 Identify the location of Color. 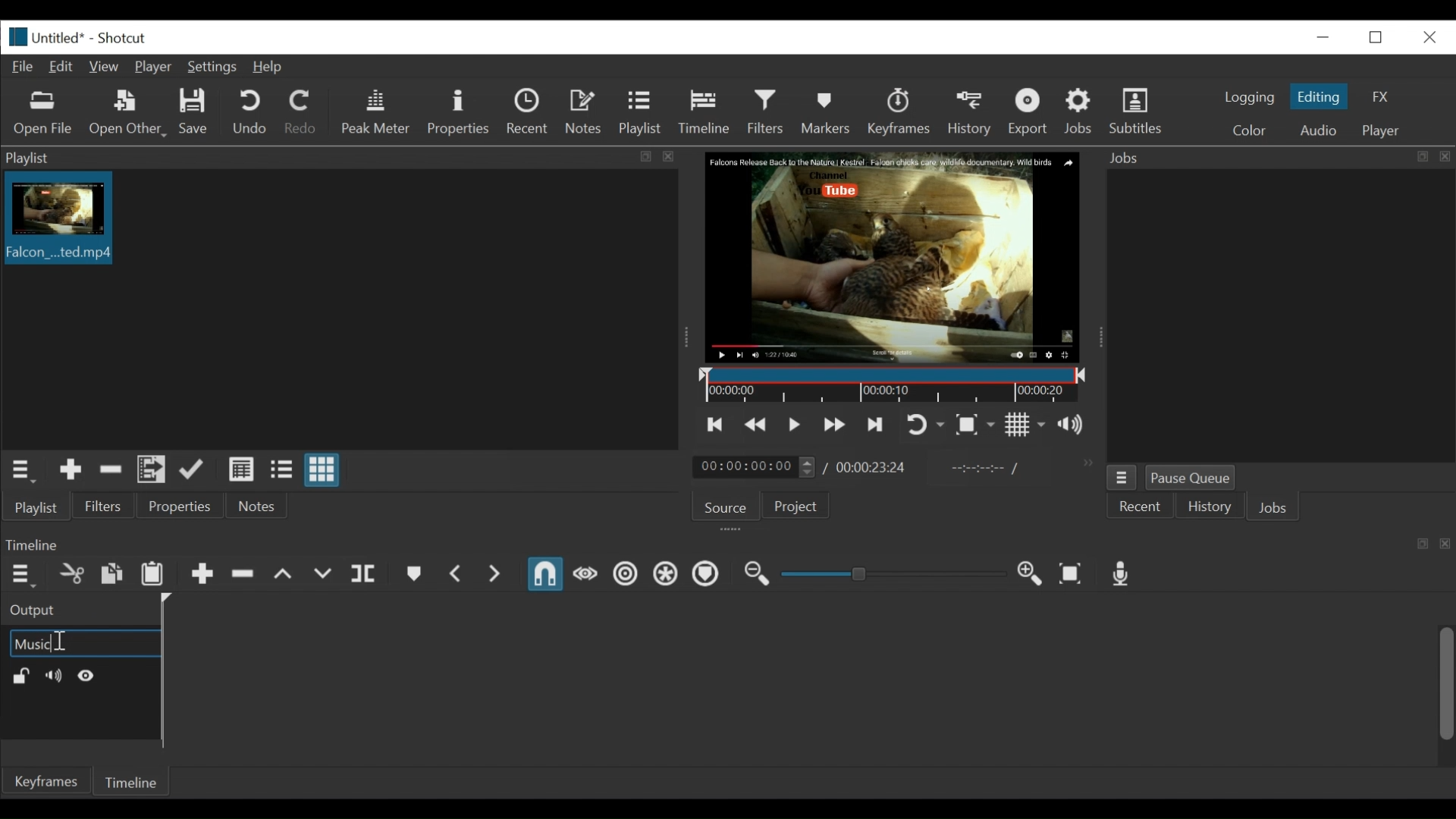
(1246, 130).